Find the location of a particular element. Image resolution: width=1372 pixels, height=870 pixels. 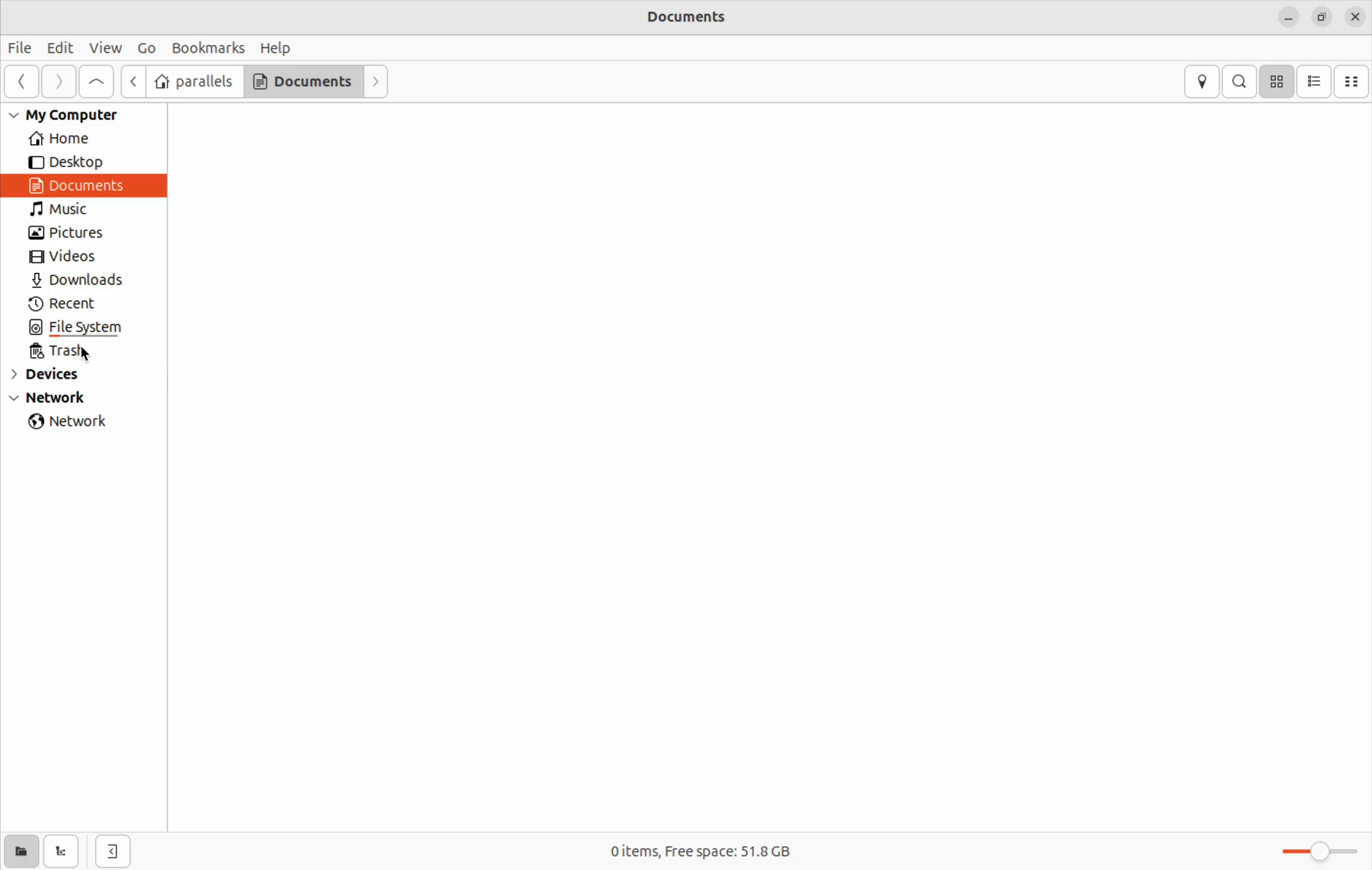

icon view is located at coordinates (1279, 83).